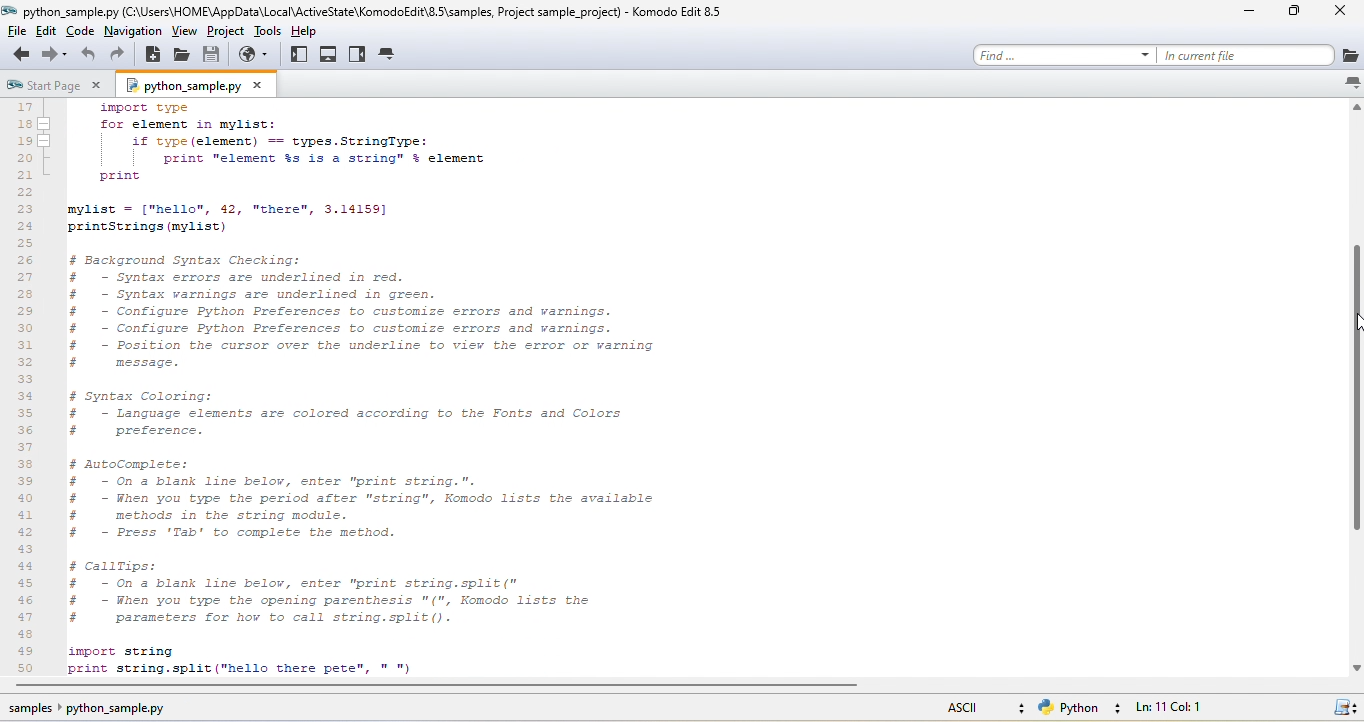 This screenshot has height=722, width=1364. I want to click on file path, so click(372, 10).